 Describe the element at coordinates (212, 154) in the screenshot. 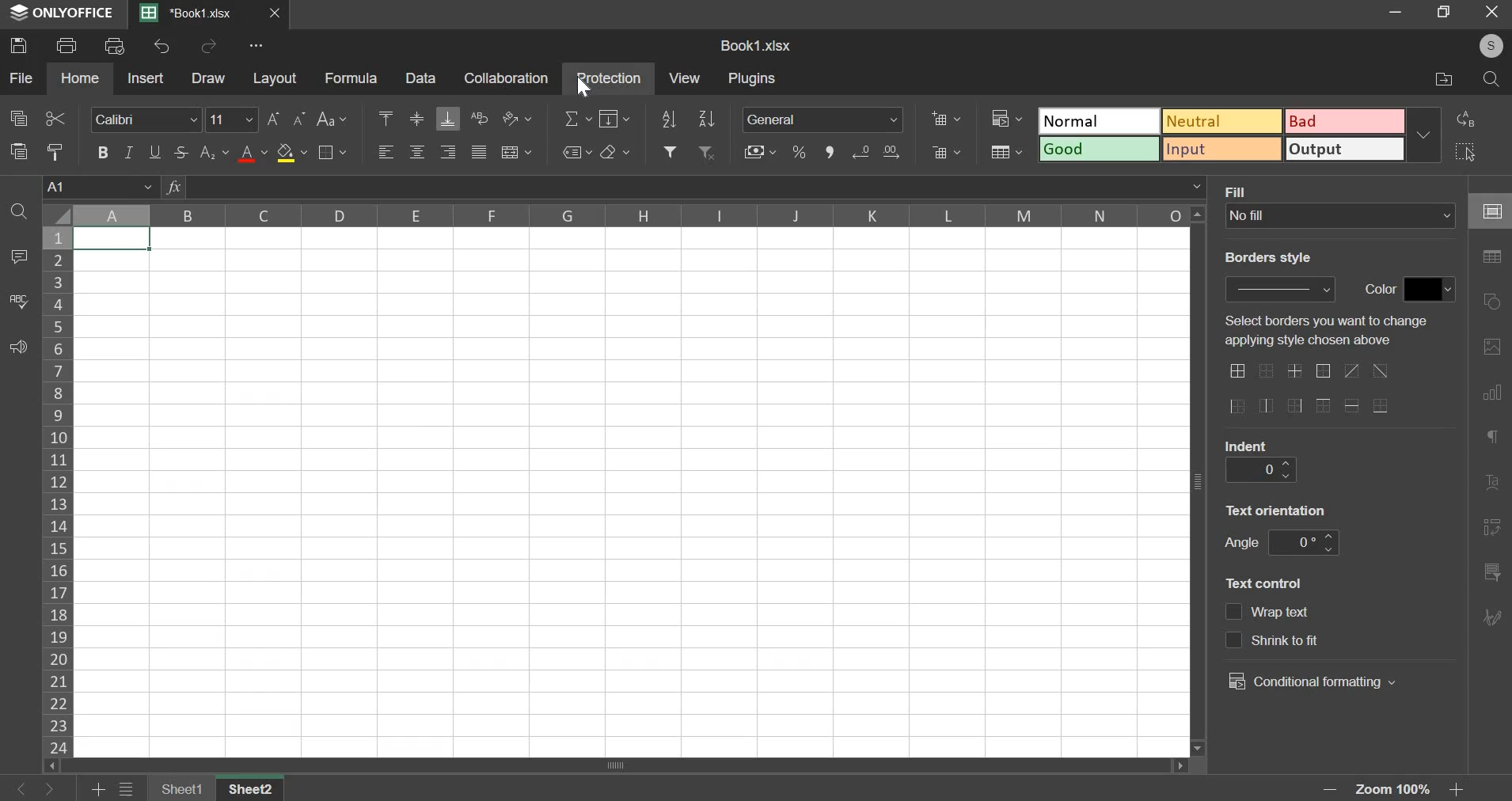

I see `subscript & superscript` at that location.